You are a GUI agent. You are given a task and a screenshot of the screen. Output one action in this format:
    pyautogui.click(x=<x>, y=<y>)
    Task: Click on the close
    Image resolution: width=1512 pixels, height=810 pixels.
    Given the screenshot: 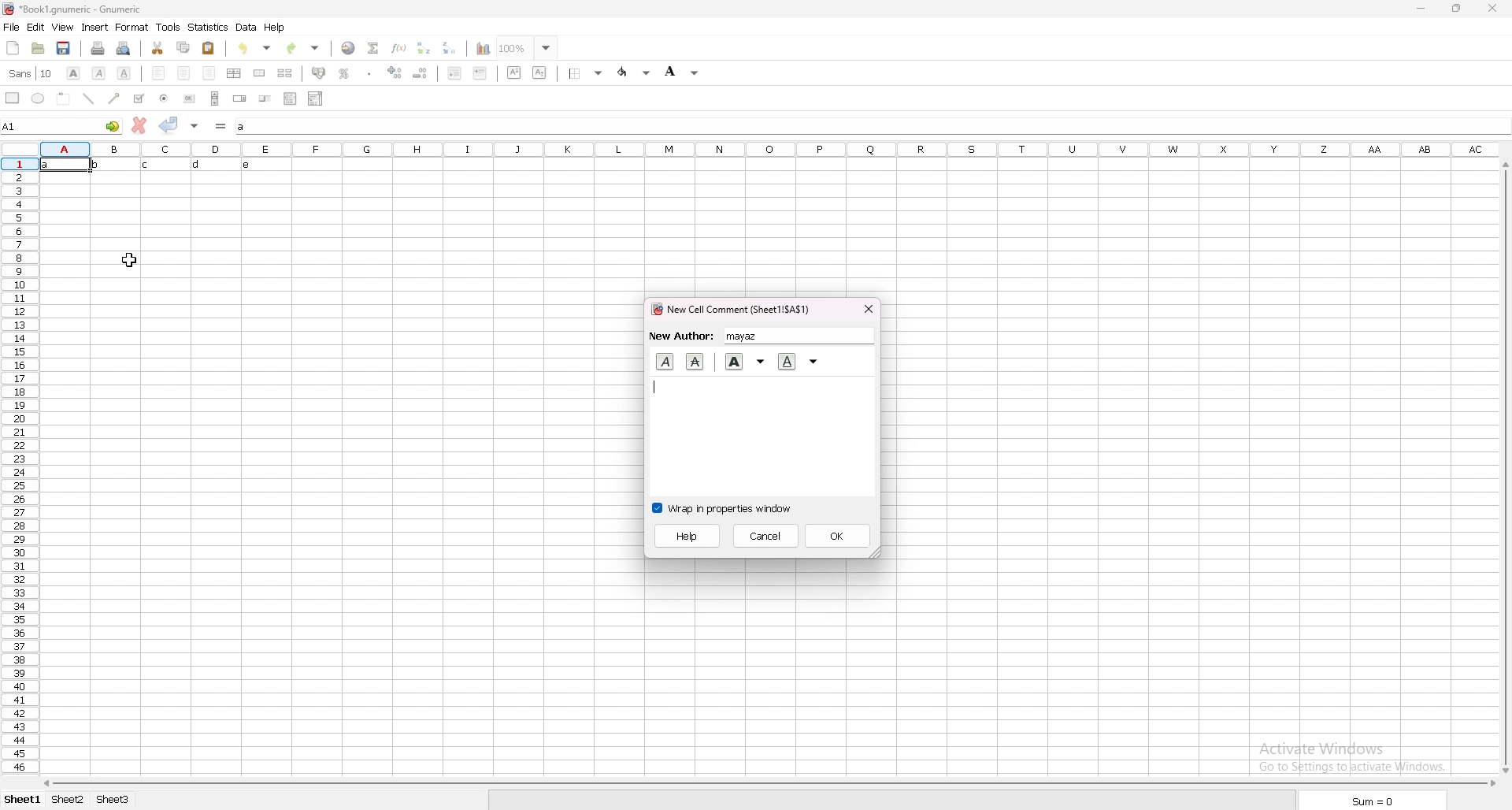 What is the action you would take?
    pyautogui.click(x=869, y=310)
    